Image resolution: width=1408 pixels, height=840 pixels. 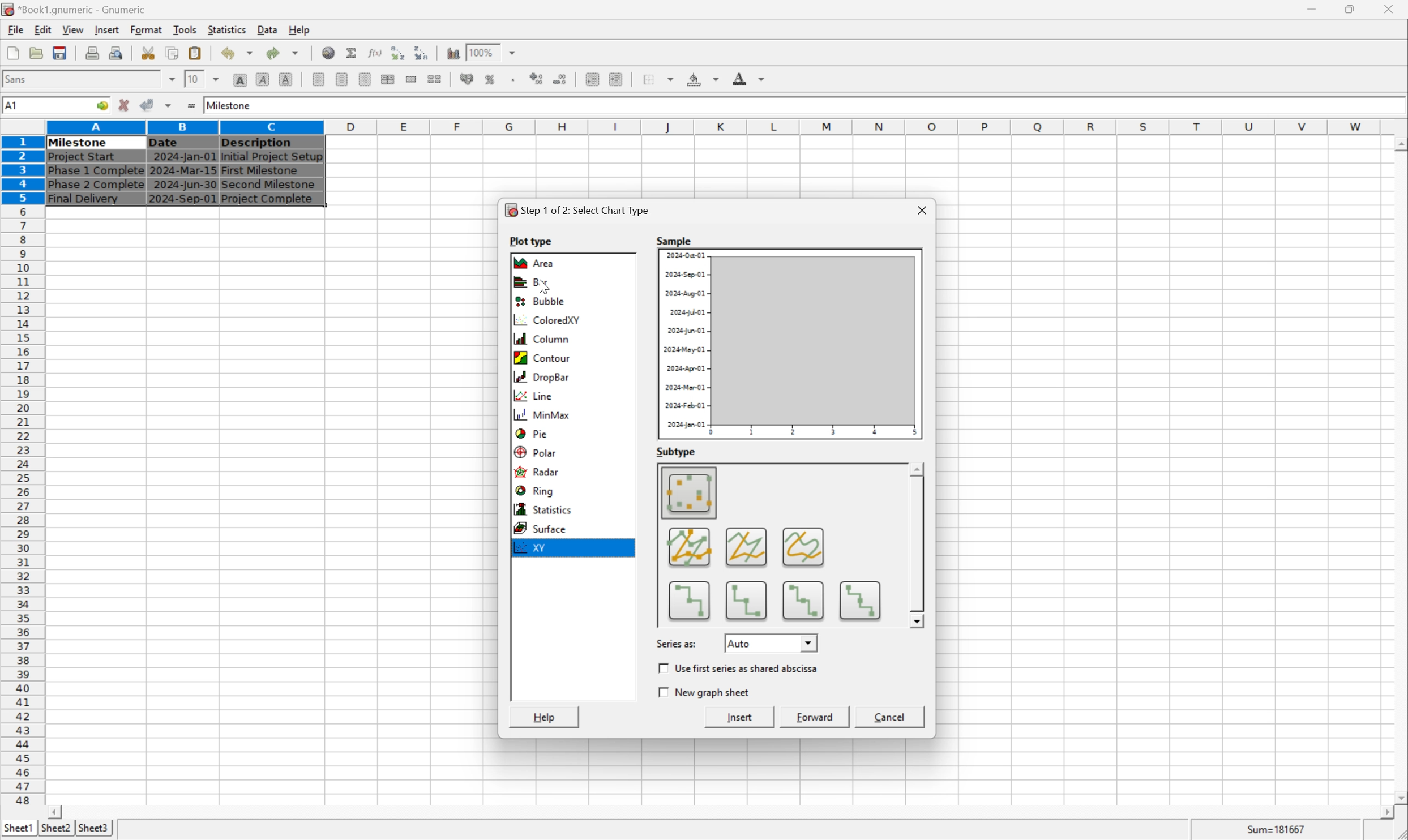 What do you see at coordinates (538, 79) in the screenshot?
I see `increase number of decimals displayed` at bounding box center [538, 79].